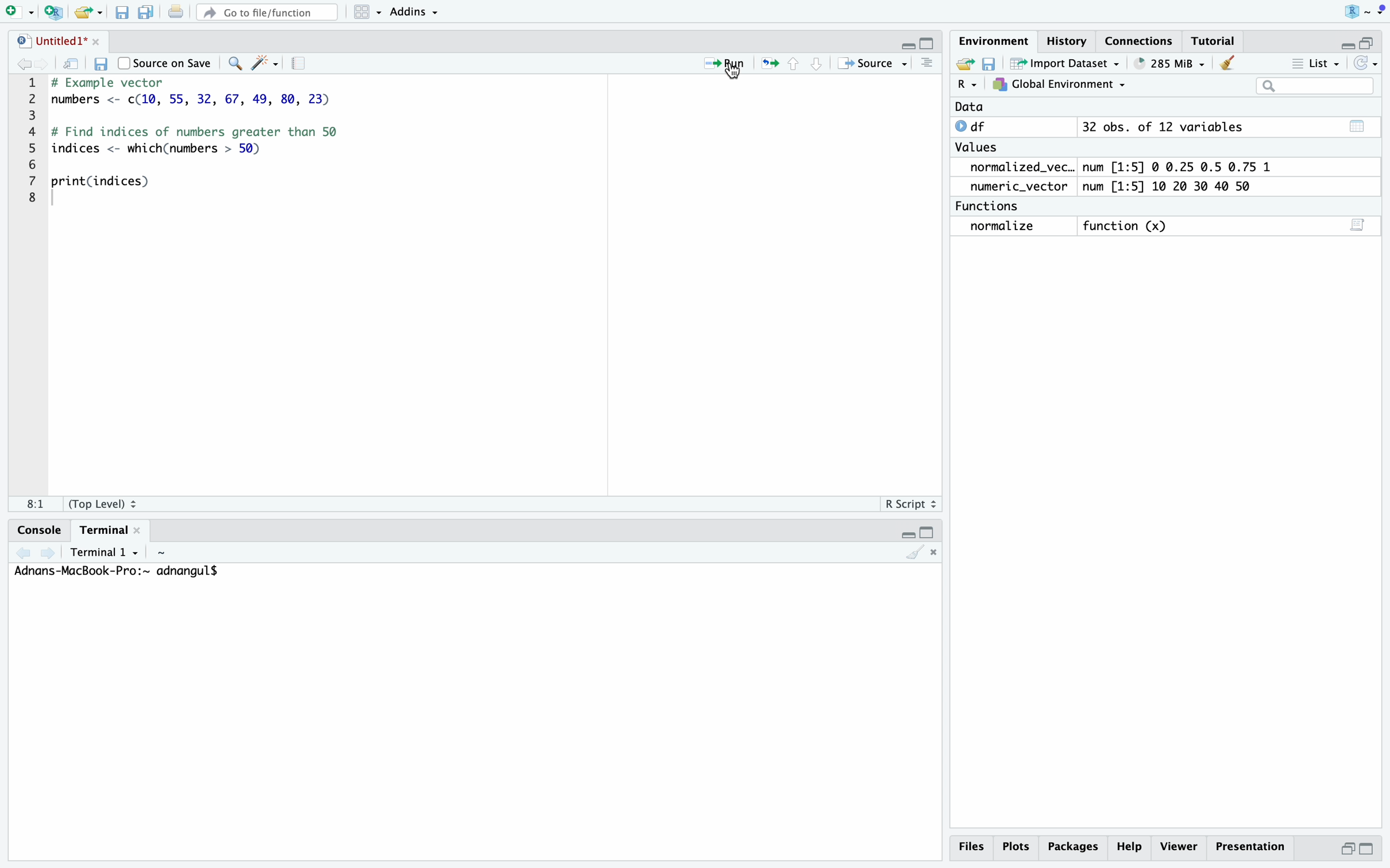 This screenshot has width=1390, height=868. What do you see at coordinates (905, 532) in the screenshot?
I see `MINIMISE` at bounding box center [905, 532].